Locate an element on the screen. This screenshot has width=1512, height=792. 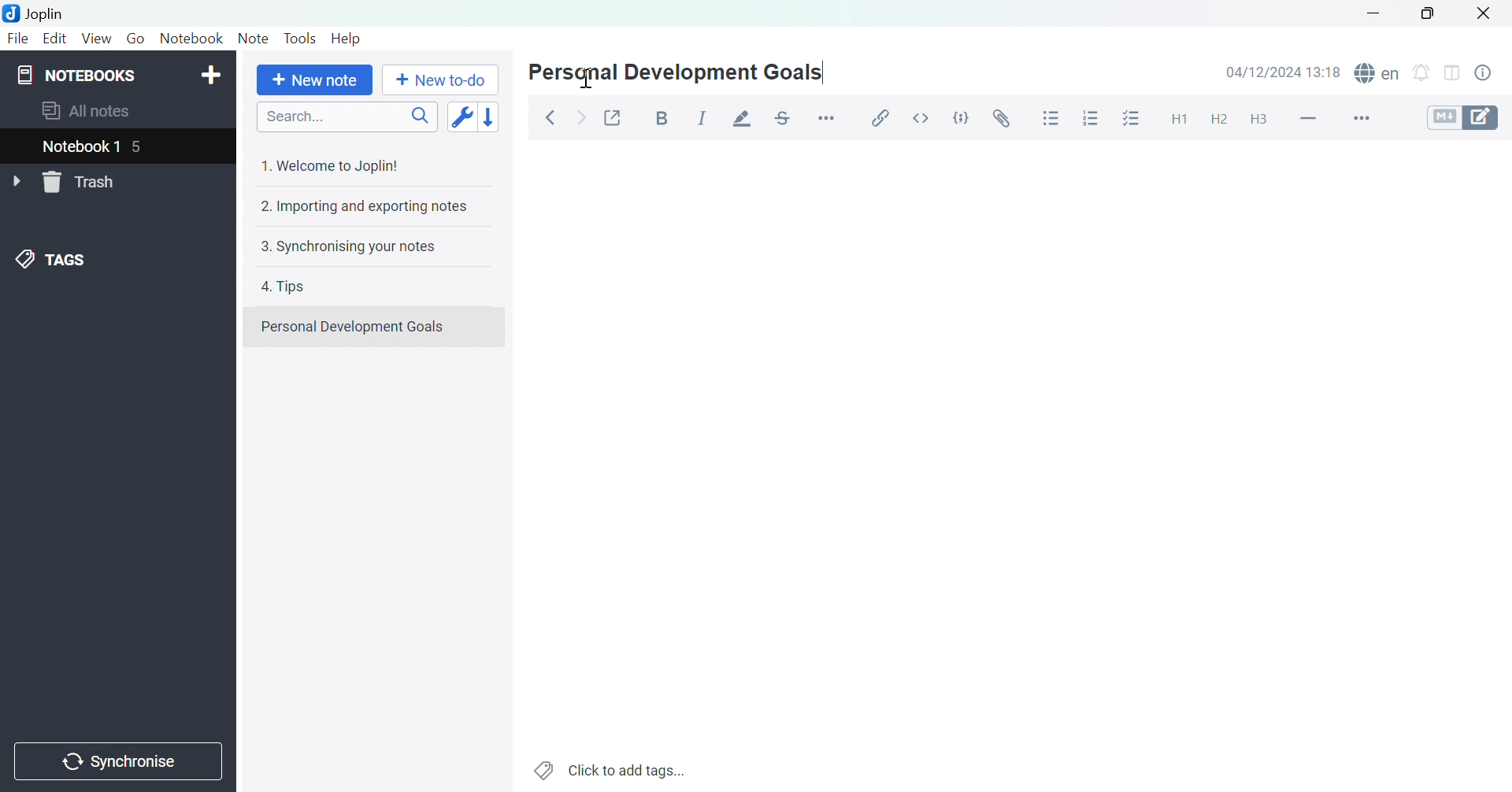
4. Tips is located at coordinates (287, 287).